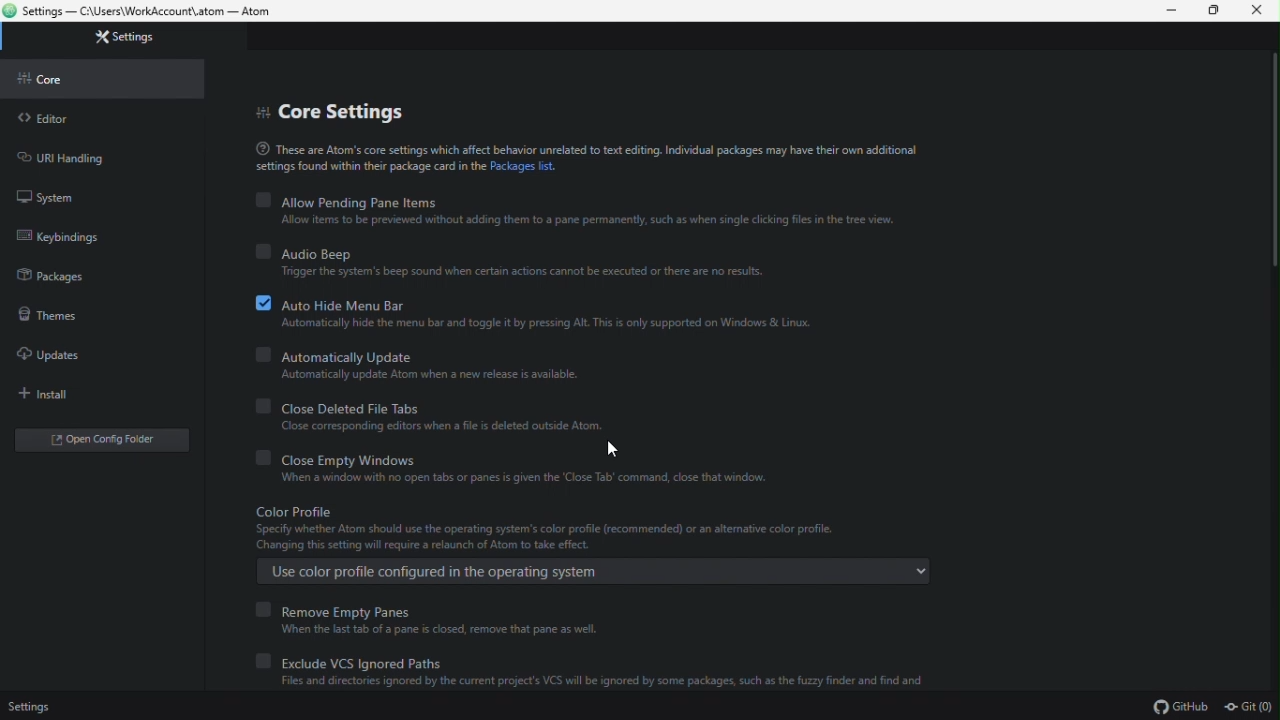 The height and width of the screenshot is (720, 1280). What do you see at coordinates (100, 312) in the screenshot?
I see `themes` at bounding box center [100, 312].